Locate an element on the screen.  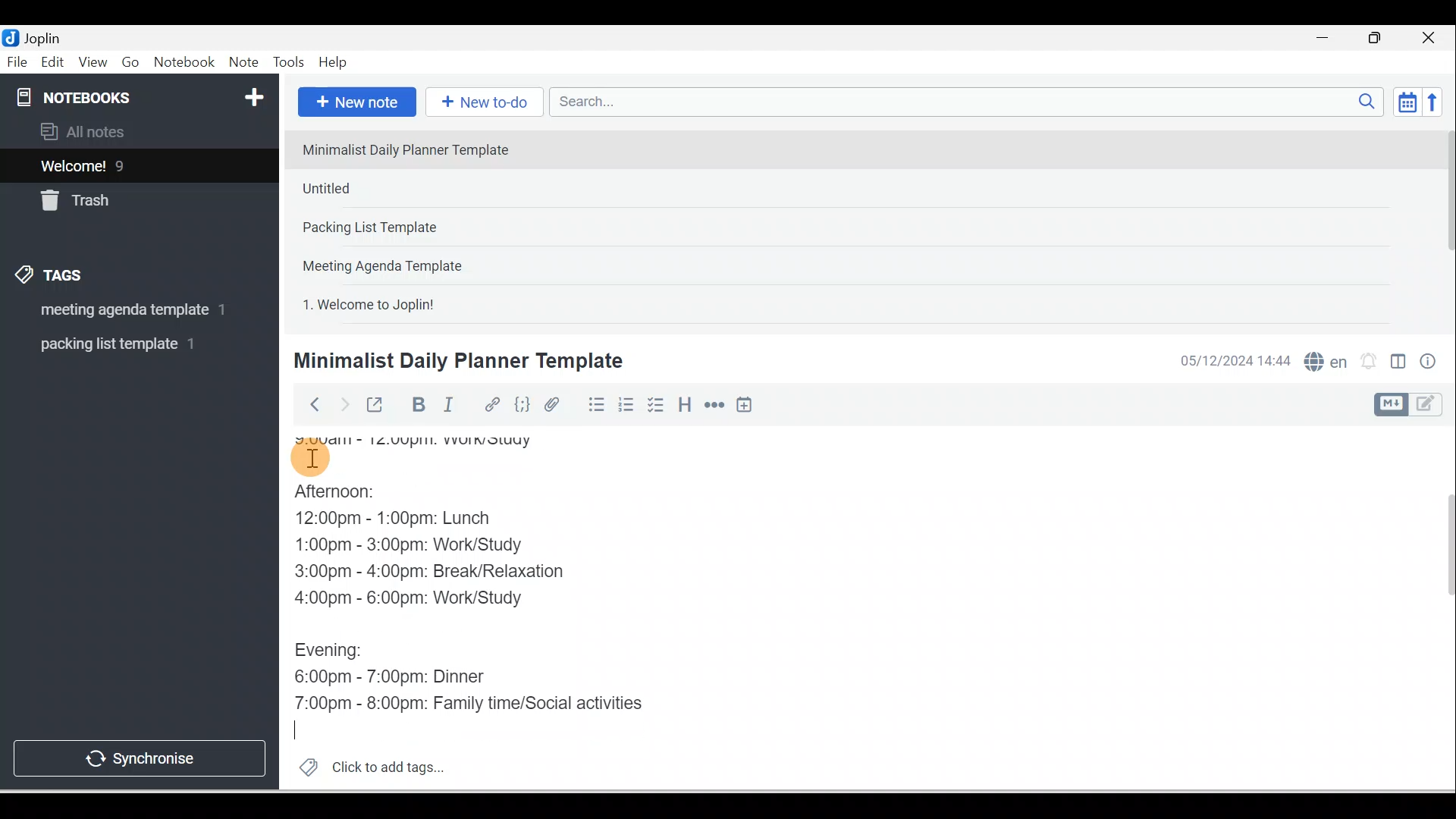
1:00pm - 3:00pm: Work/Study is located at coordinates (411, 545).